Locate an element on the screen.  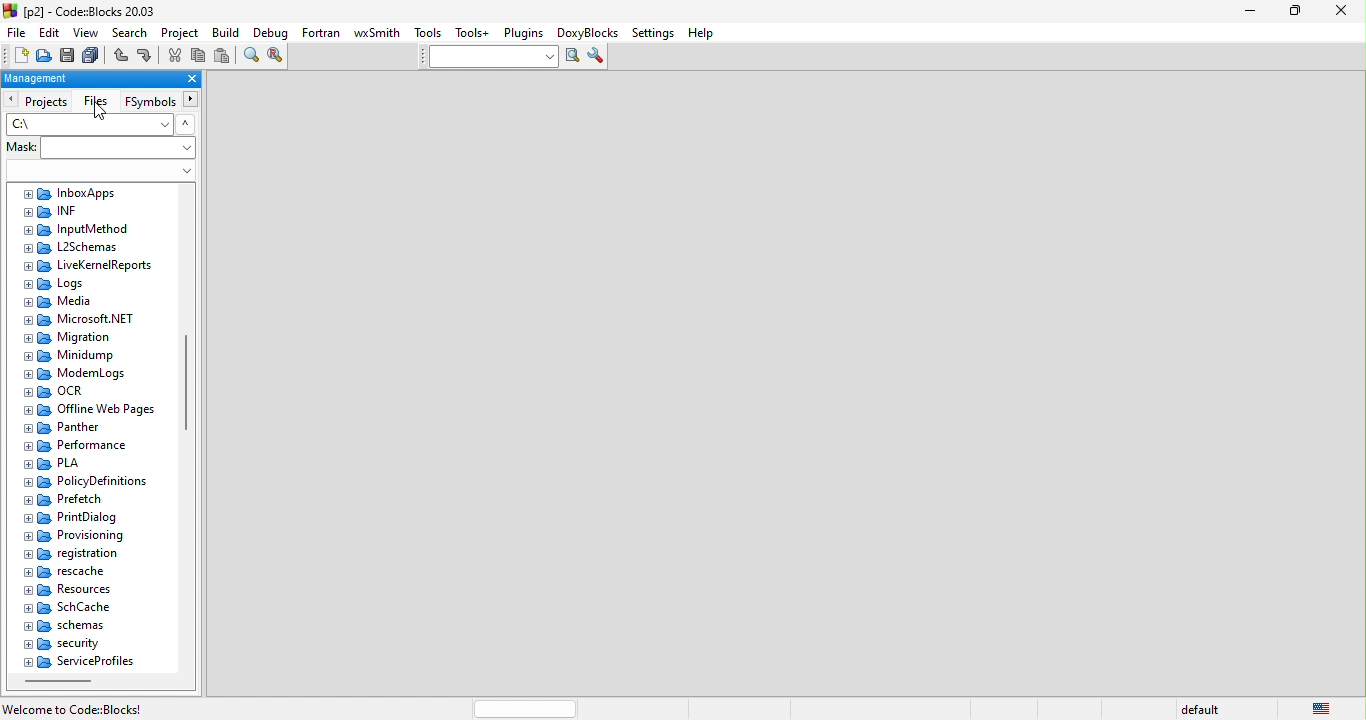
search is located at coordinates (133, 33).